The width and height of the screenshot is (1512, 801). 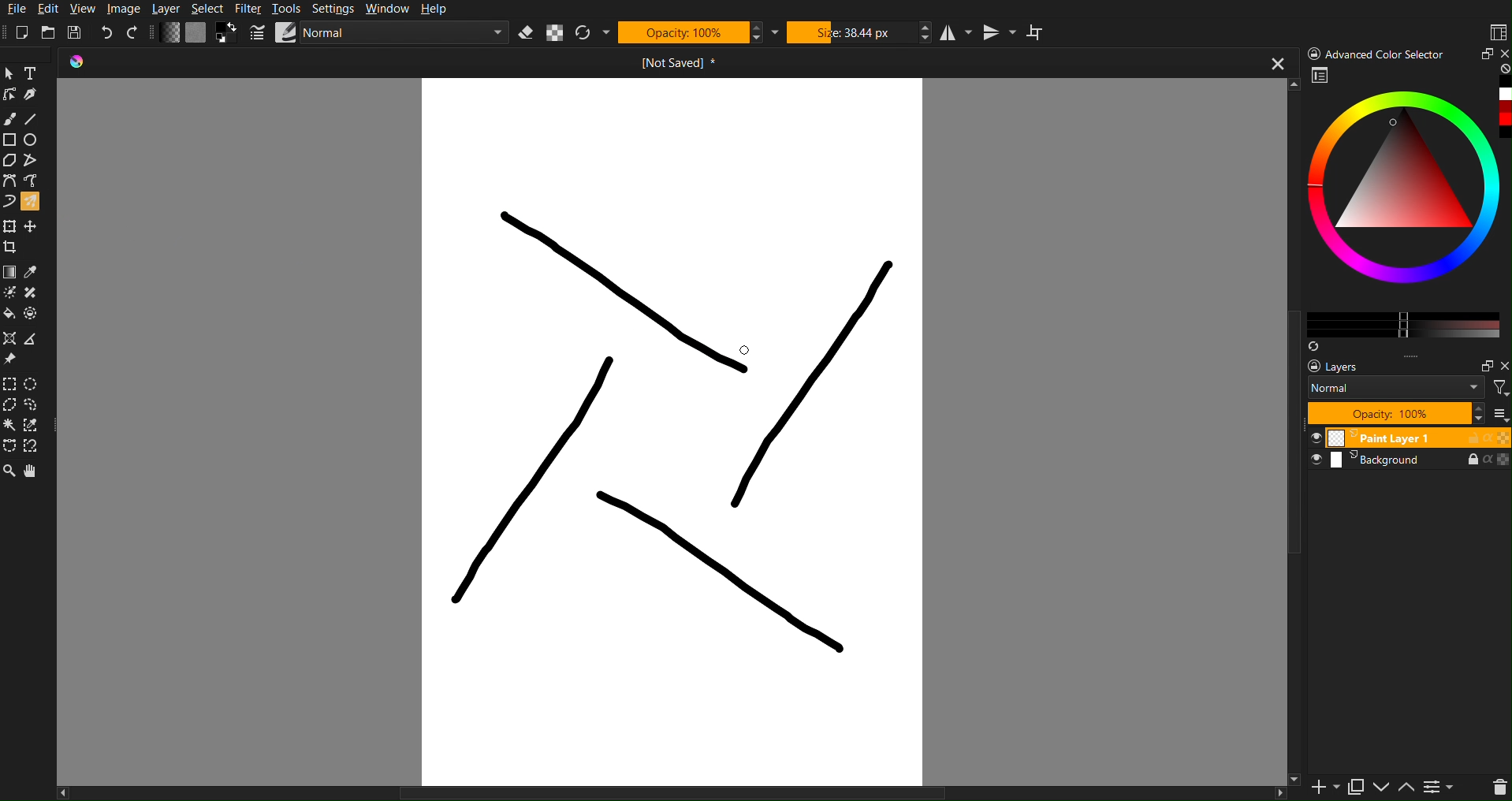 I want to click on Select, so click(x=210, y=9).